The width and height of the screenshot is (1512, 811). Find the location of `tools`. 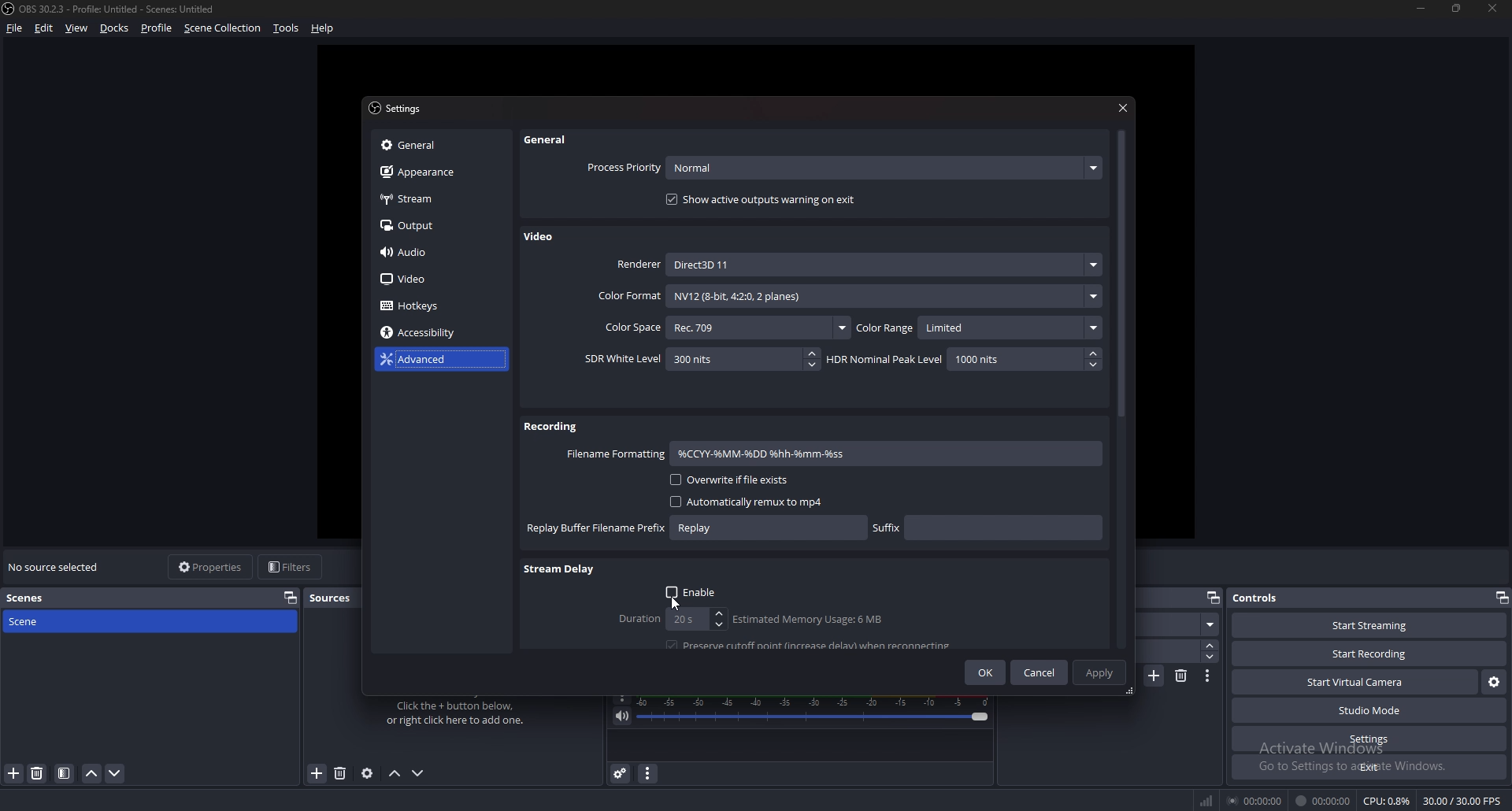

tools is located at coordinates (285, 28).